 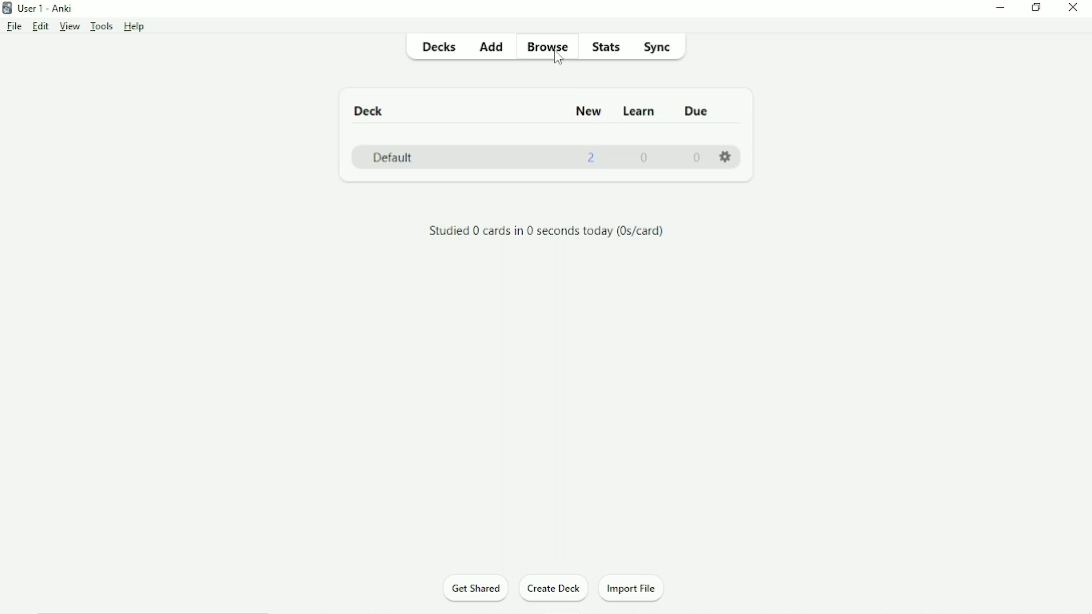 What do you see at coordinates (638, 588) in the screenshot?
I see `Import File` at bounding box center [638, 588].